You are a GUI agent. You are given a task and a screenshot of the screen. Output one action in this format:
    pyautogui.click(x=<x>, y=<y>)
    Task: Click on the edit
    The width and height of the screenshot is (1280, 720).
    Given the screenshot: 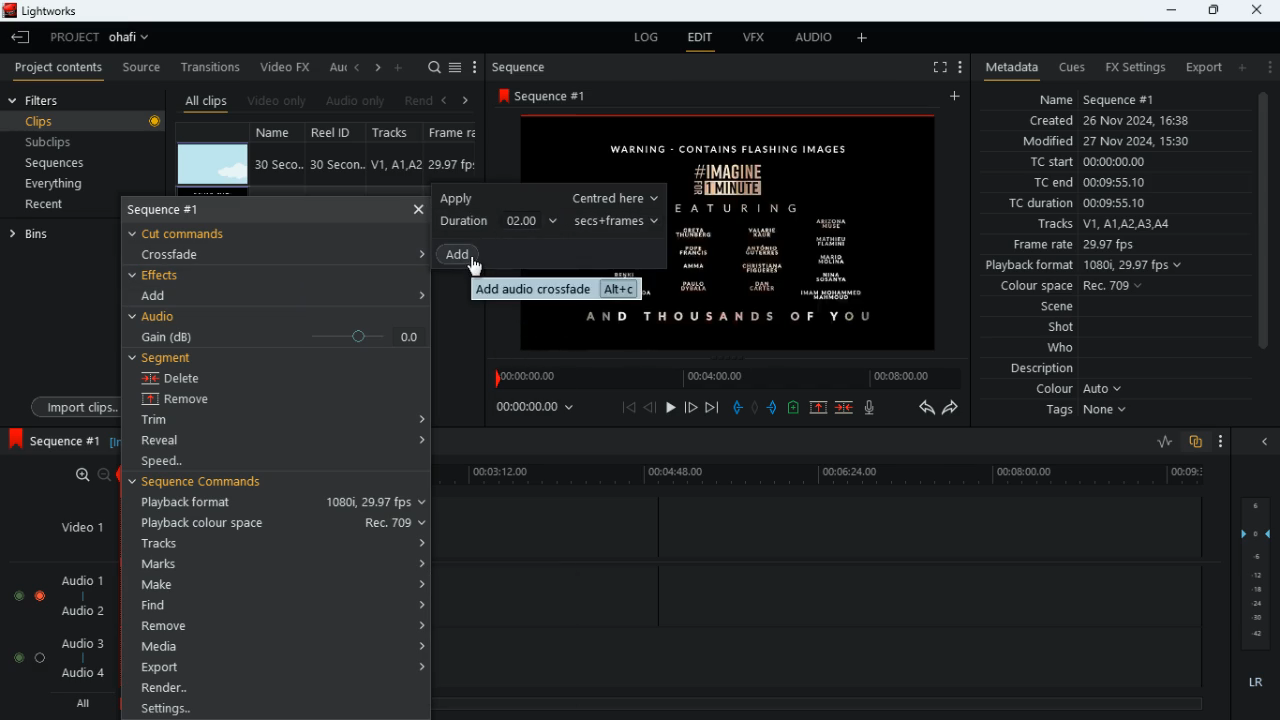 What is the action you would take?
    pyautogui.click(x=700, y=40)
    